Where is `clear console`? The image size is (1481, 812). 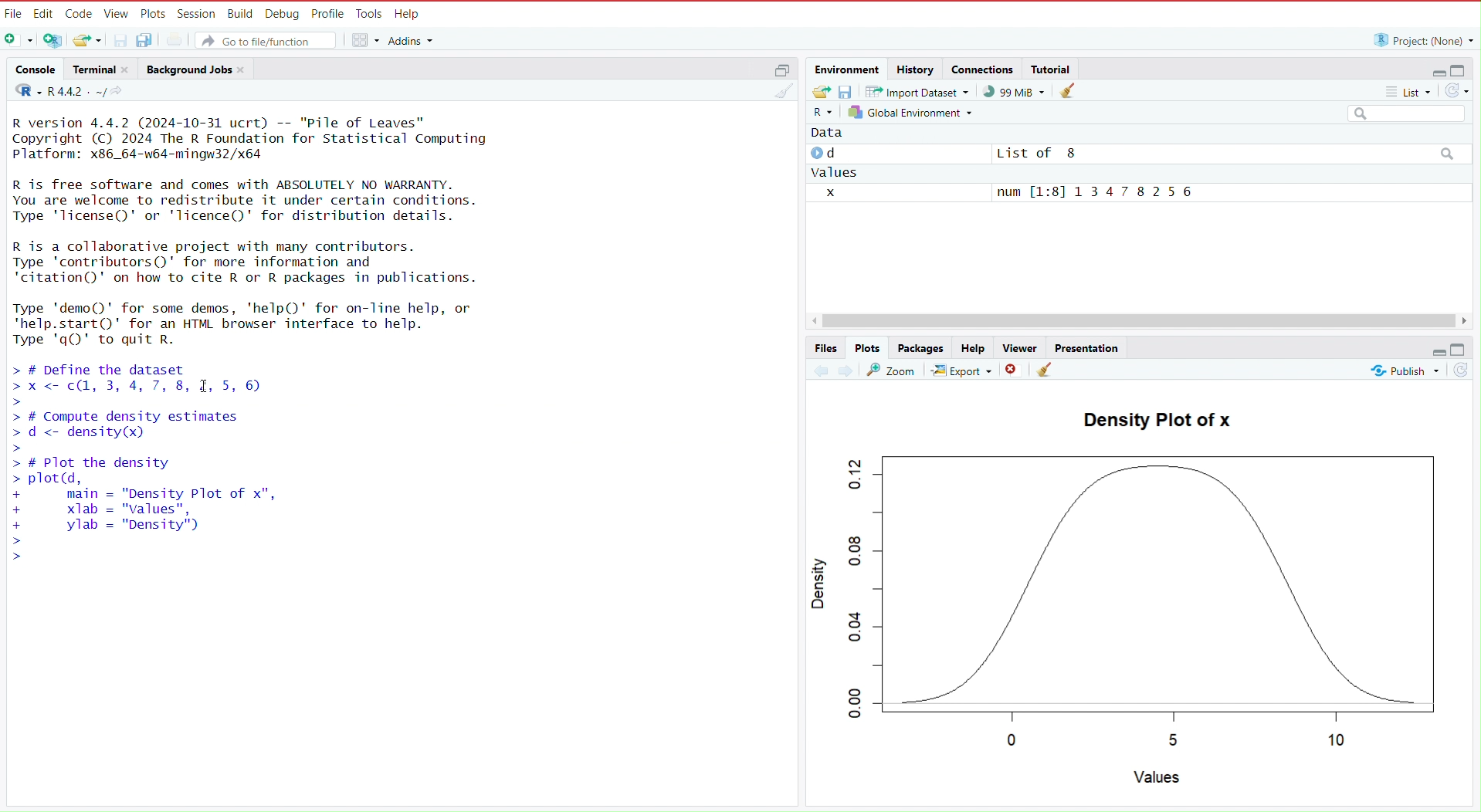 clear console is located at coordinates (782, 92).